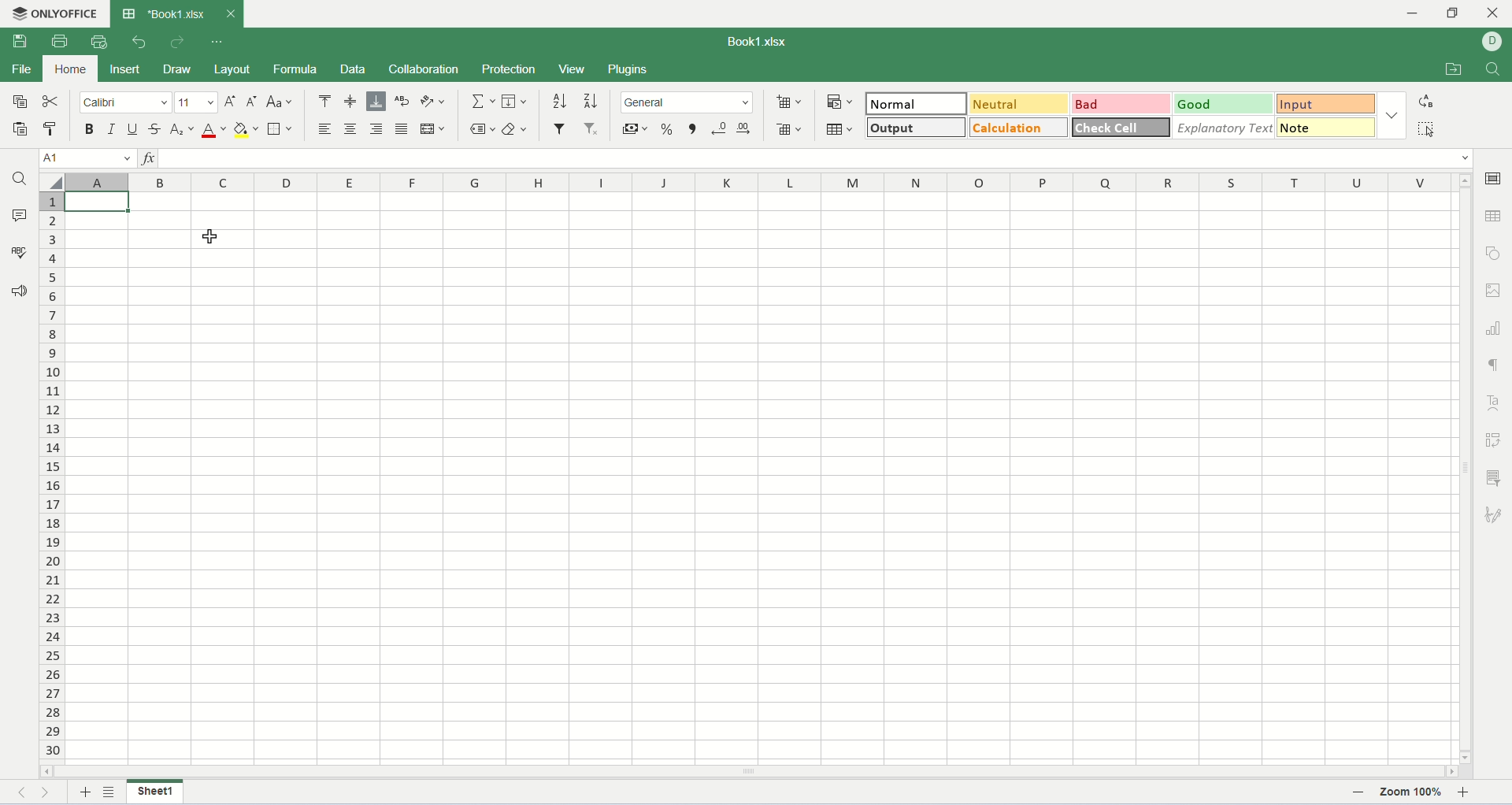  What do you see at coordinates (132, 128) in the screenshot?
I see `underline` at bounding box center [132, 128].